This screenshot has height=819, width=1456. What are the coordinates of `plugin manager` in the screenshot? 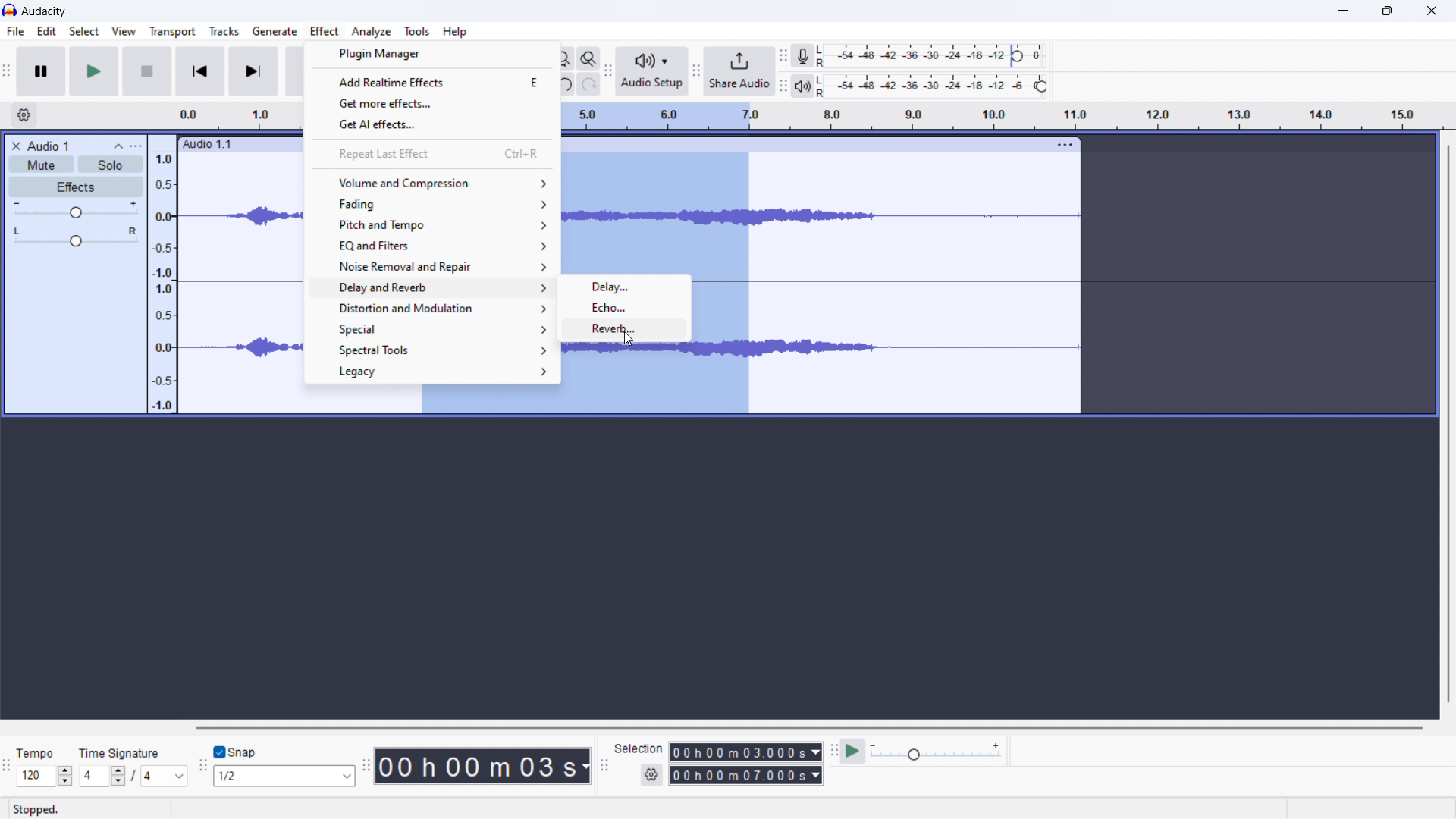 It's located at (430, 52).